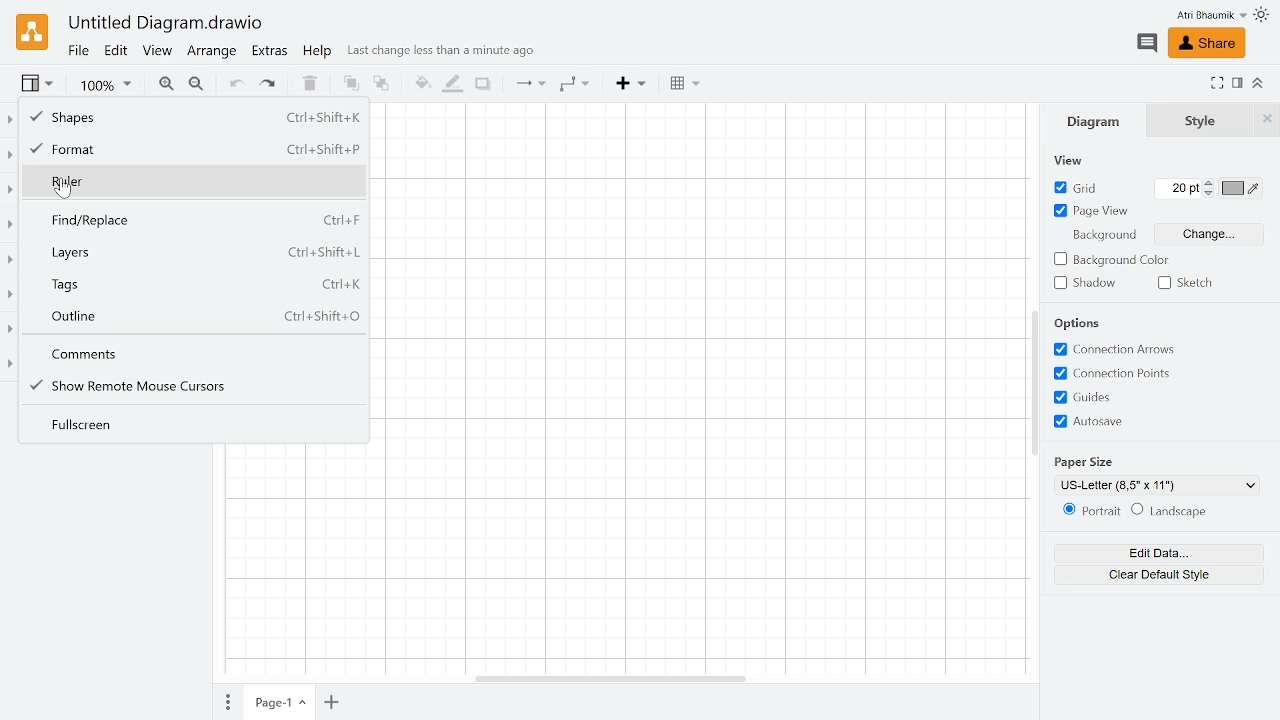 The image size is (1280, 720). Describe the element at coordinates (167, 24) in the screenshot. I see `Current window` at that location.